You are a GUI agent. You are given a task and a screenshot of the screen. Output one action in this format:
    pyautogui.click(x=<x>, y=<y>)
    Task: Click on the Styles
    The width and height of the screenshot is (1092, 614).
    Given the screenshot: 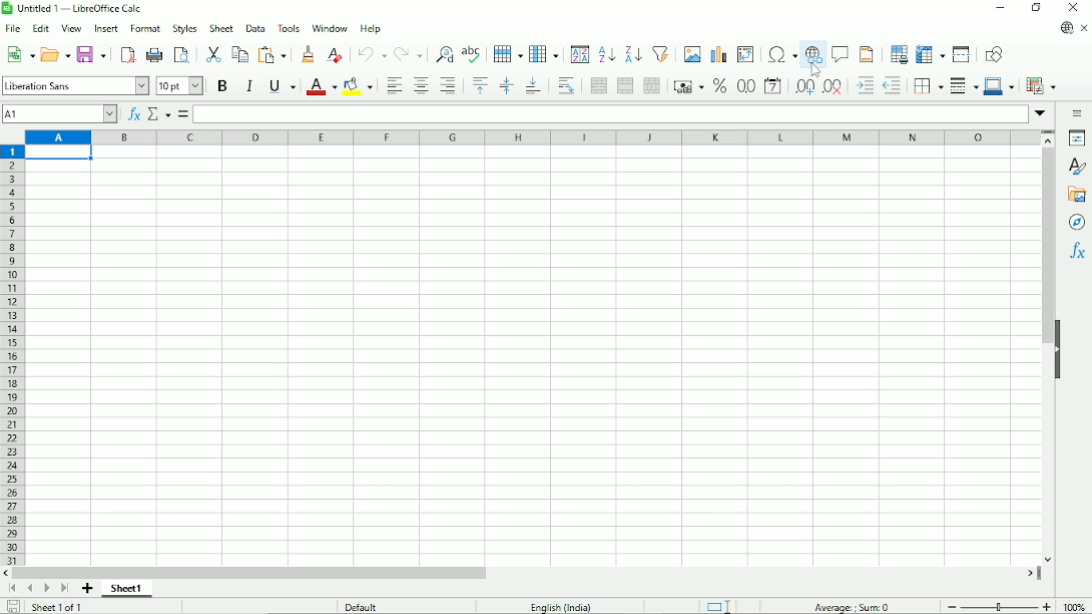 What is the action you would take?
    pyautogui.click(x=1078, y=167)
    